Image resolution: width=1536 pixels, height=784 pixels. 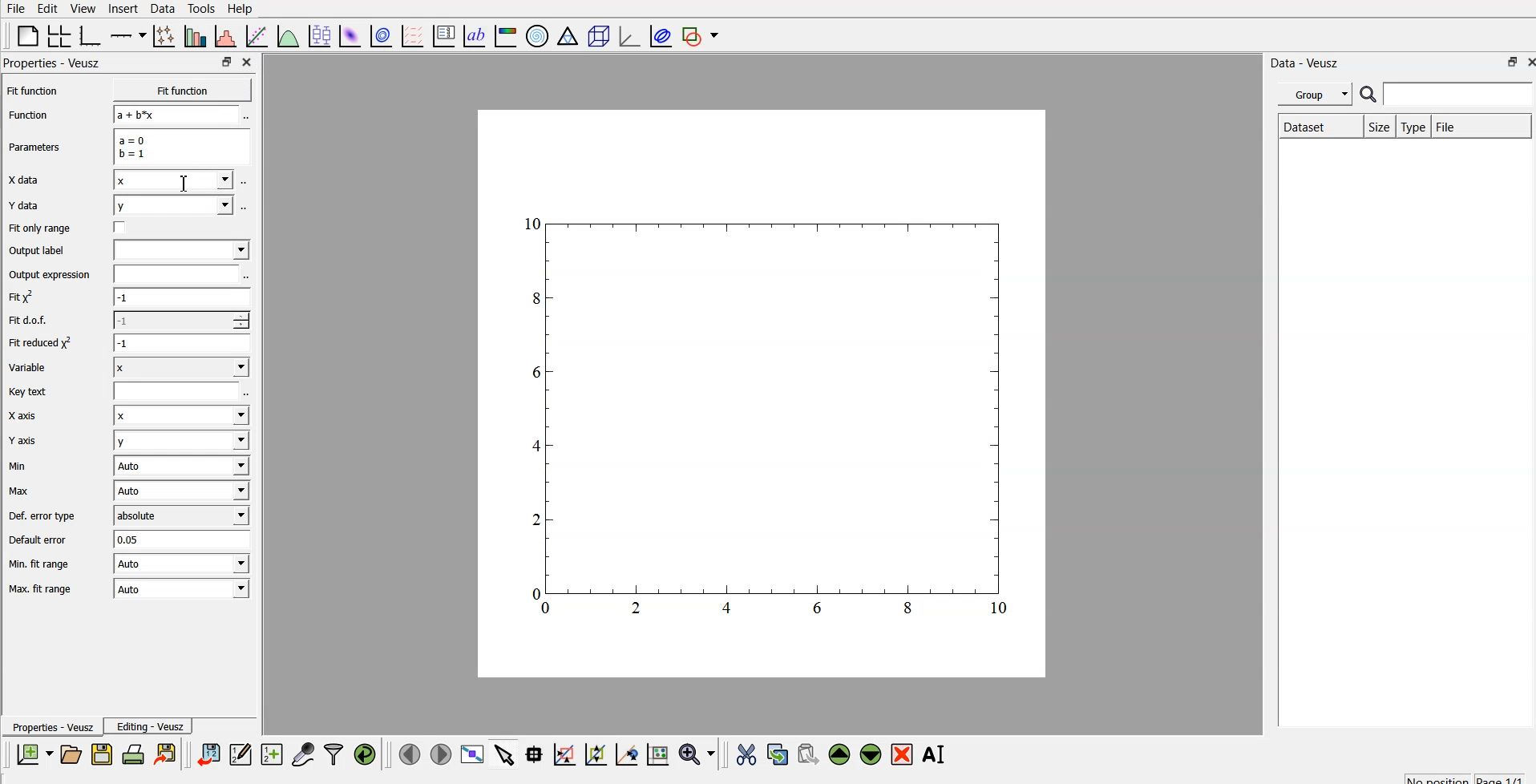 What do you see at coordinates (27, 755) in the screenshot?
I see `new document` at bounding box center [27, 755].